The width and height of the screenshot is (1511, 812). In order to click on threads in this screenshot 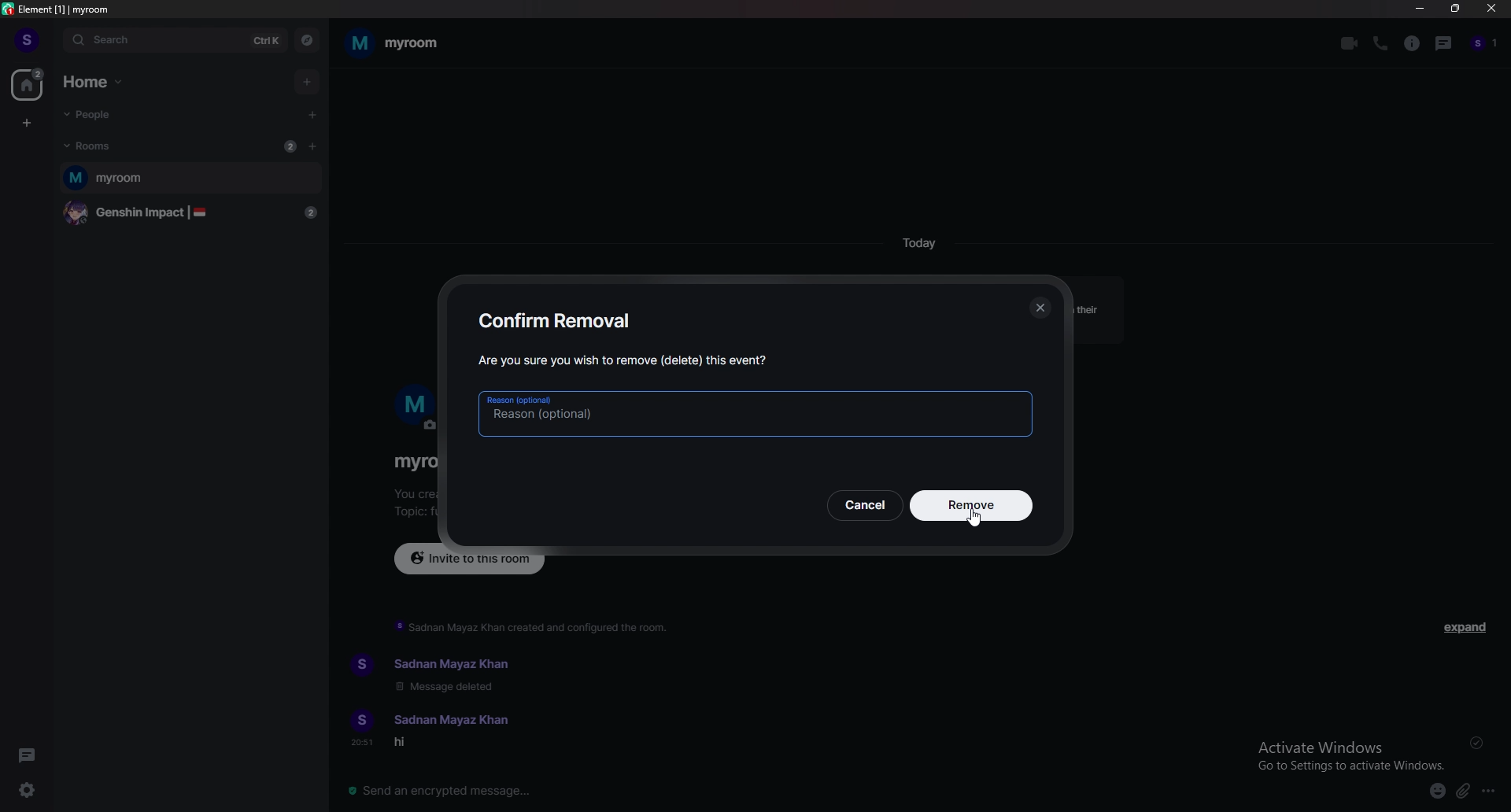, I will do `click(1445, 42)`.